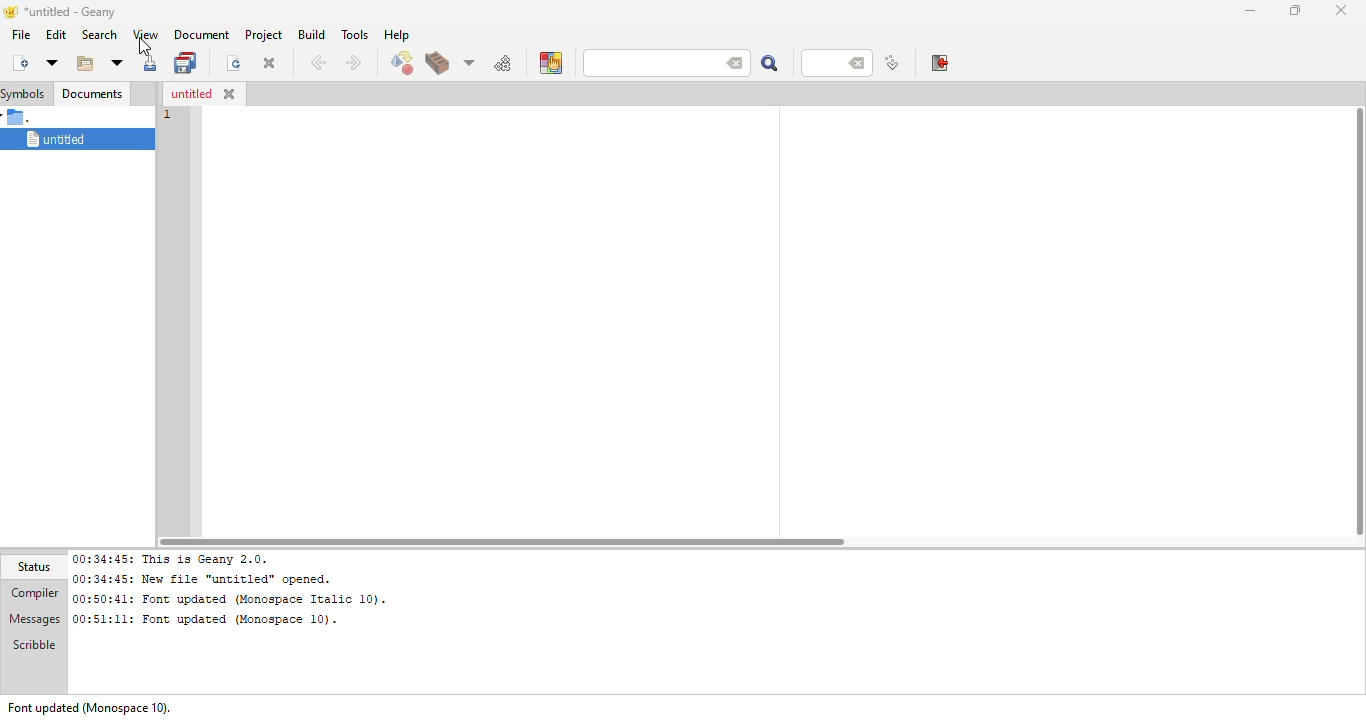  Describe the element at coordinates (91, 92) in the screenshot. I see `documents` at that location.